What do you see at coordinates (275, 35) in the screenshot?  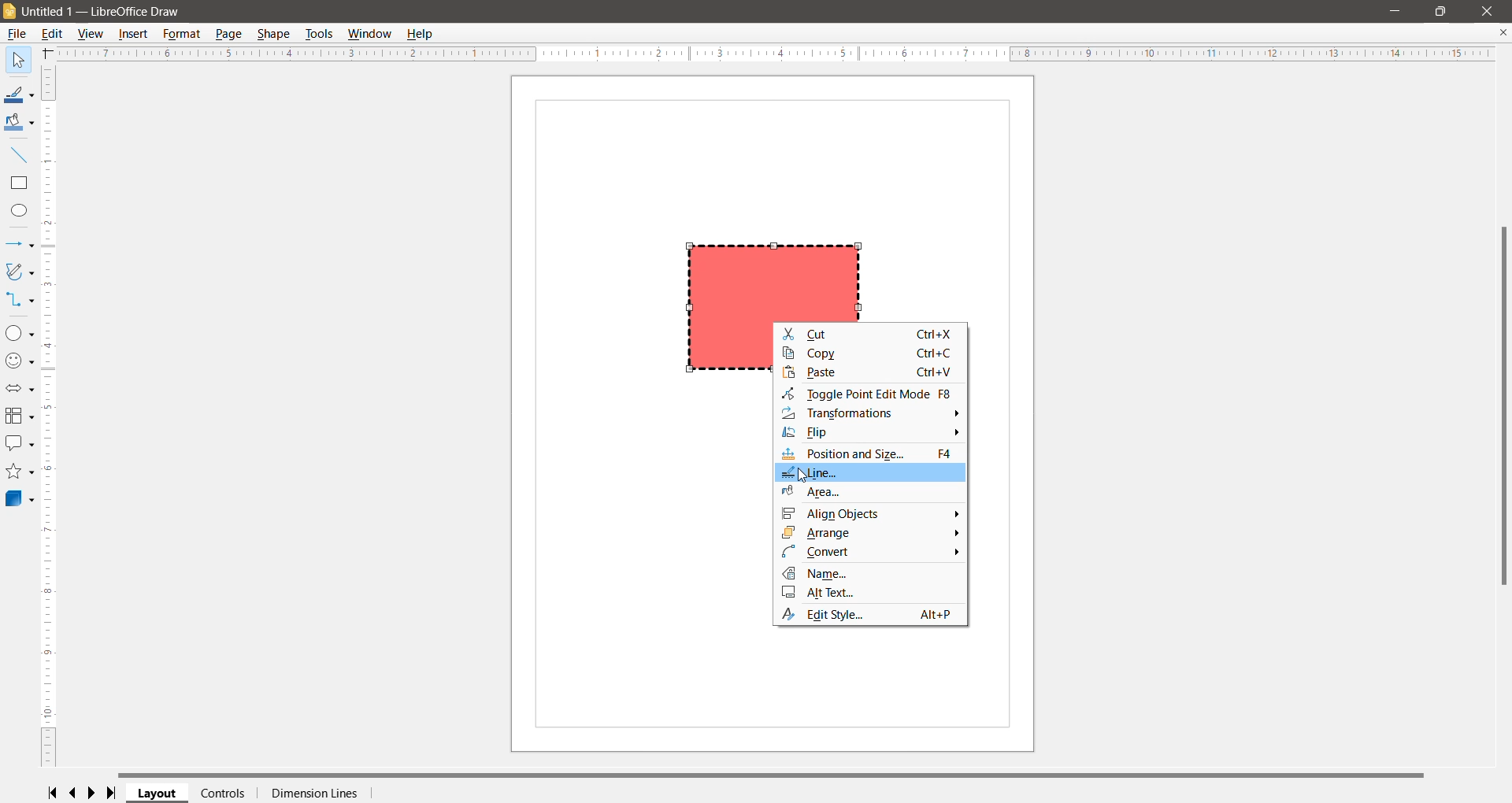 I see `Shape` at bounding box center [275, 35].